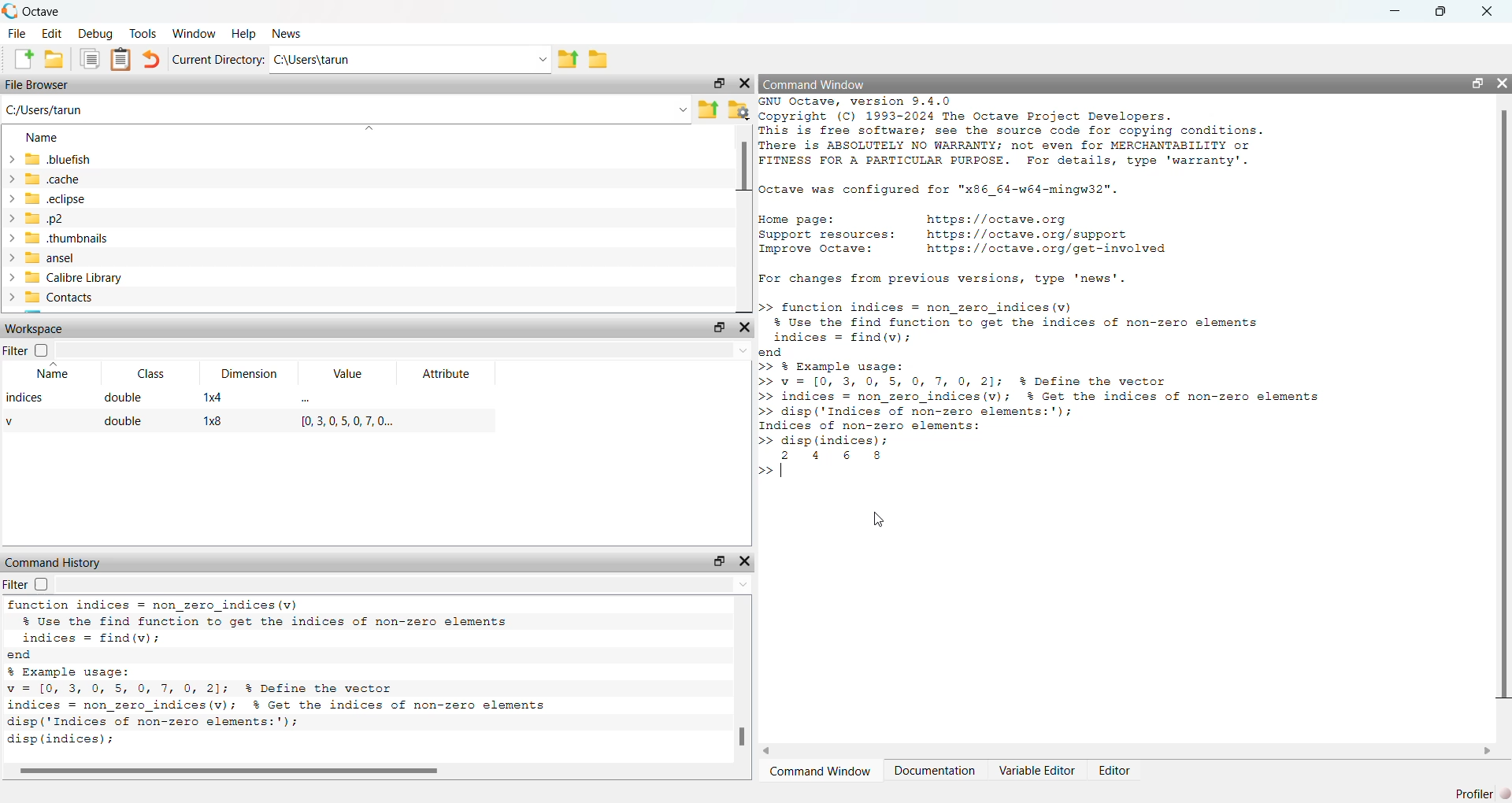  What do you see at coordinates (51, 34) in the screenshot?
I see `Edit` at bounding box center [51, 34].